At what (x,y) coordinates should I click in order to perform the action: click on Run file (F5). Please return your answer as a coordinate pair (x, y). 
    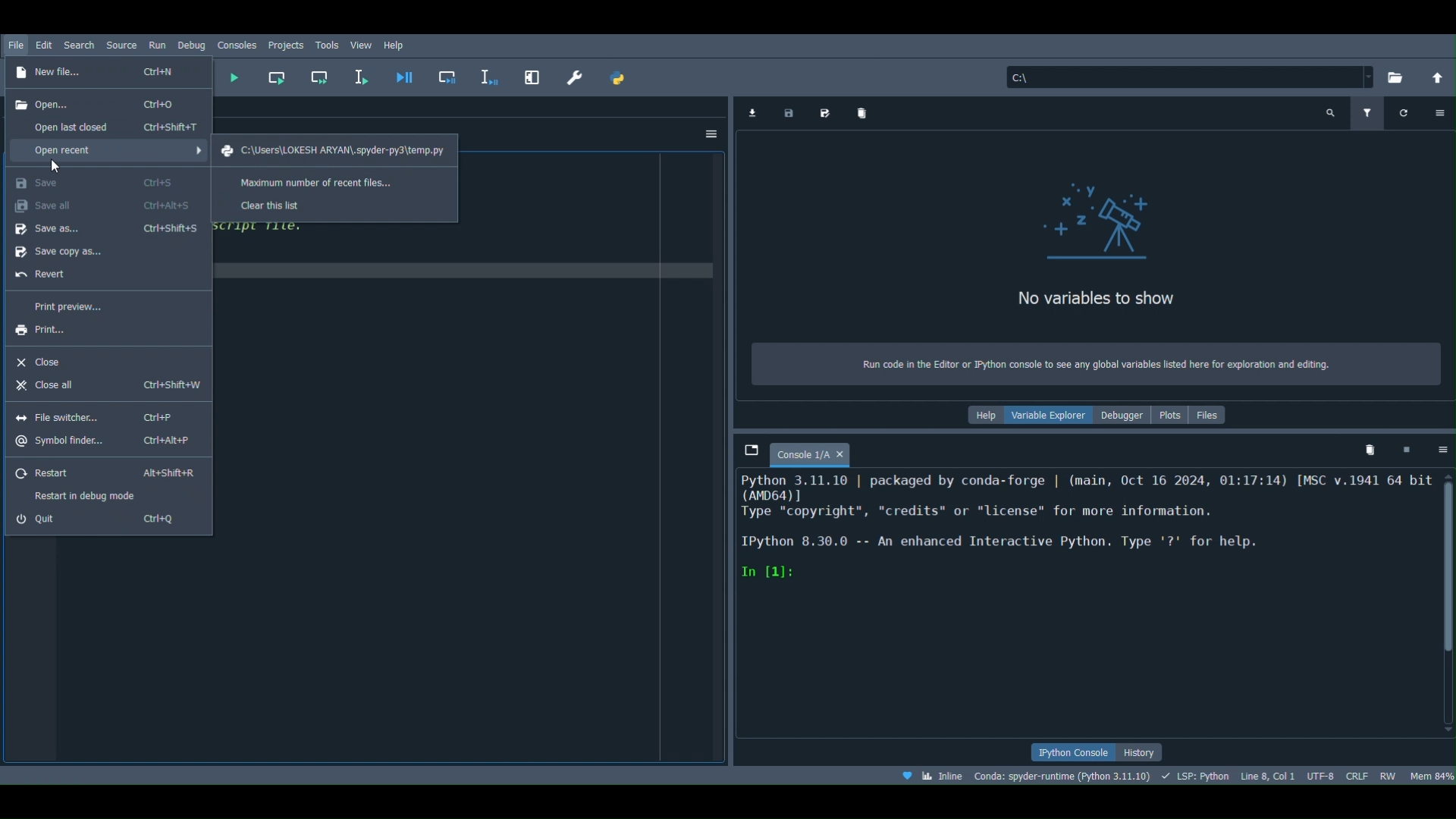
    Looking at the image, I should click on (234, 76).